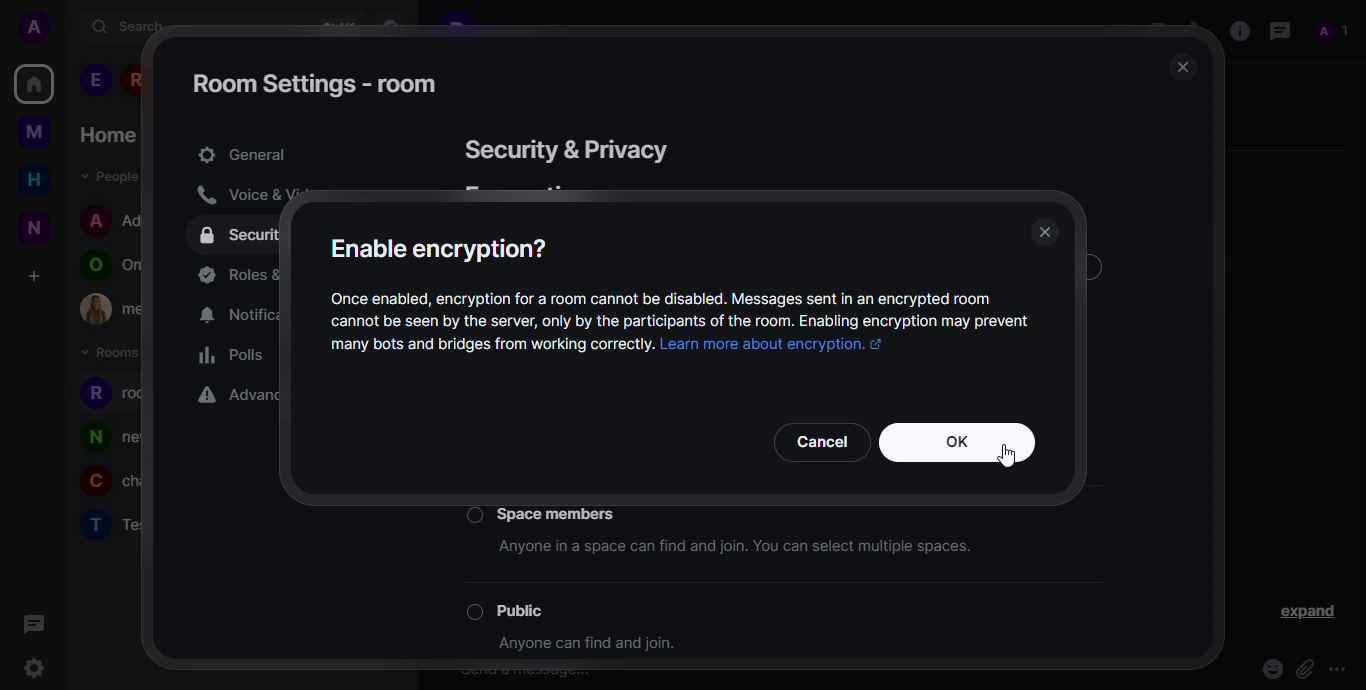 Image resolution: width=1366 pixels, height=690 pixels. What do you see at coordinates (533, 609) in the screenshot?
I see `public` at bounding box center [533, 609].